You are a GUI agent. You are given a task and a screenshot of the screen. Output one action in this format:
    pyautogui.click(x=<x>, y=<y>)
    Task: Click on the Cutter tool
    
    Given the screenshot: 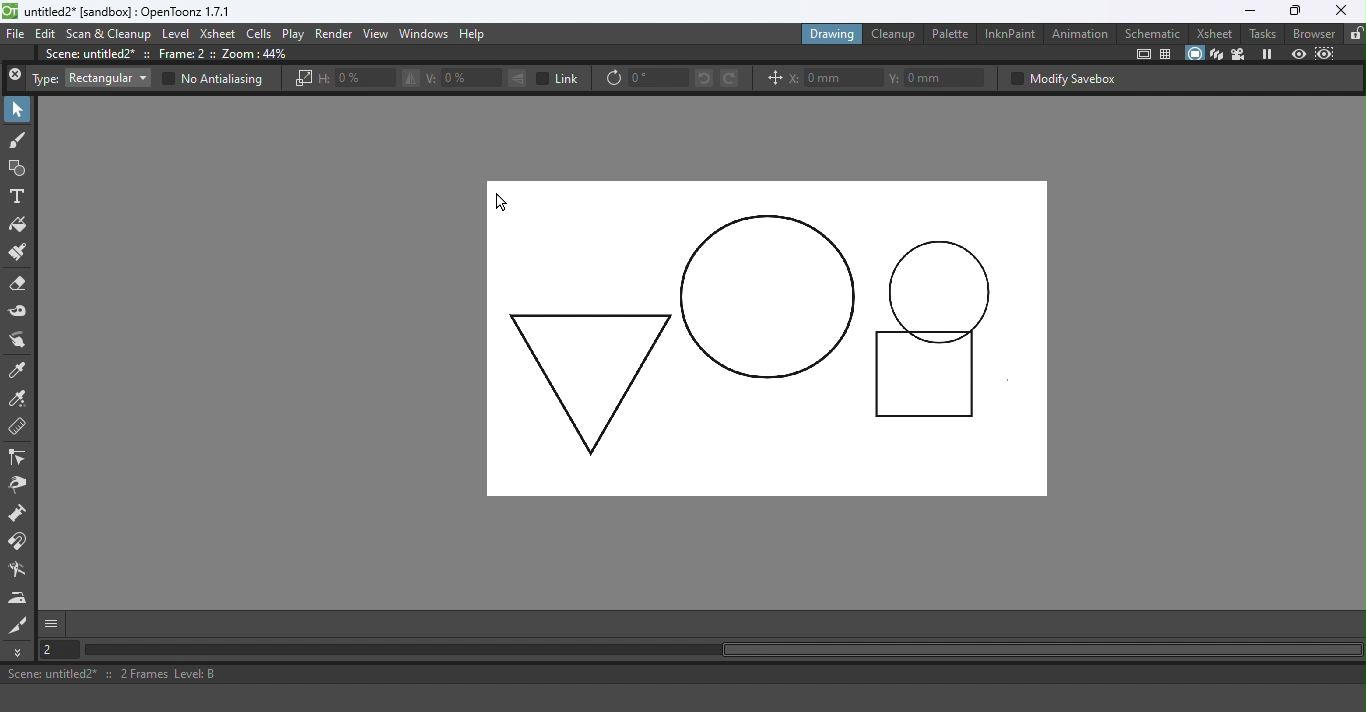 What is the action you would take?
    pyautogui.click(x=18, y=625)
    